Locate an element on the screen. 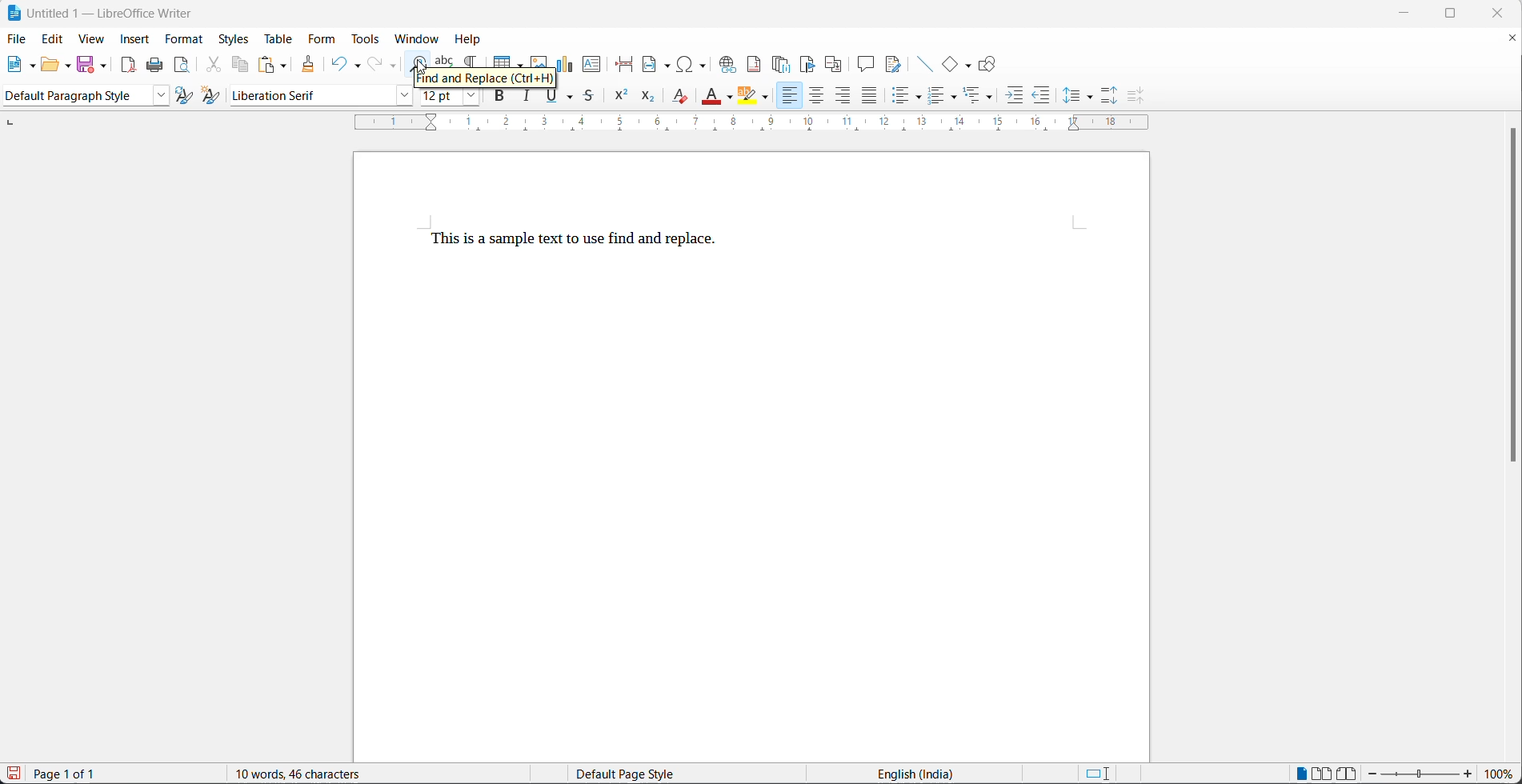 The width and height of the screenshot is (1522, 784). find and replace is located at coordinates (419, 62).